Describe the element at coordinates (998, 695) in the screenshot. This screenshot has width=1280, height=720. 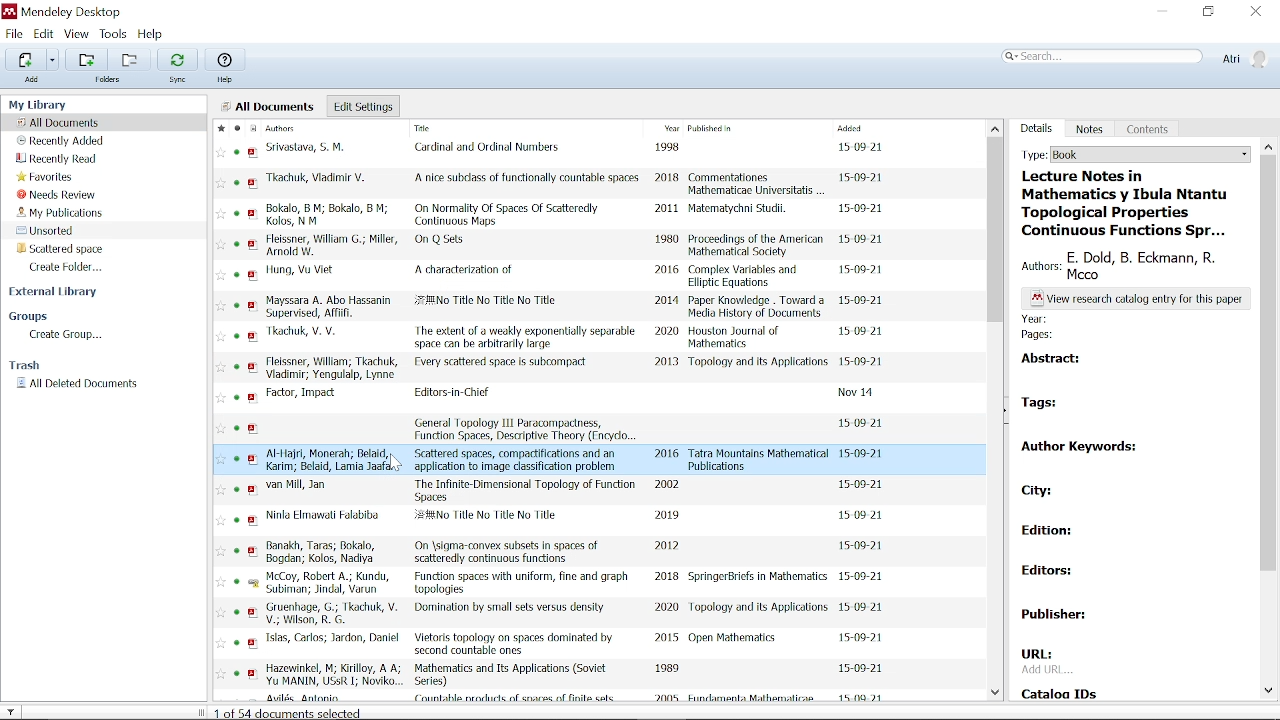
I see `Move down in all files` at that location.